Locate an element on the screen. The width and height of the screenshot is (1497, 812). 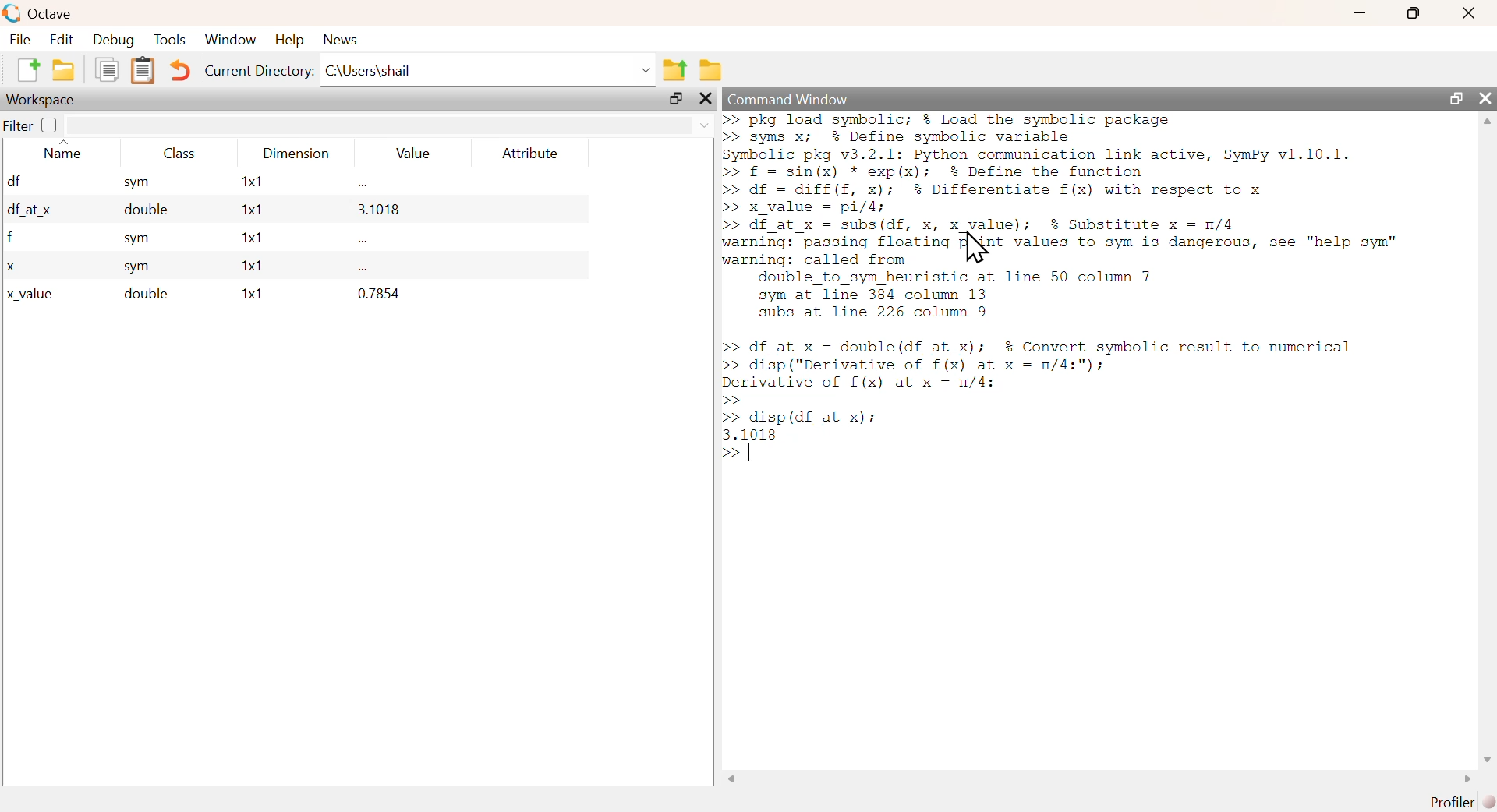
double is located at coordinates (140, 212).